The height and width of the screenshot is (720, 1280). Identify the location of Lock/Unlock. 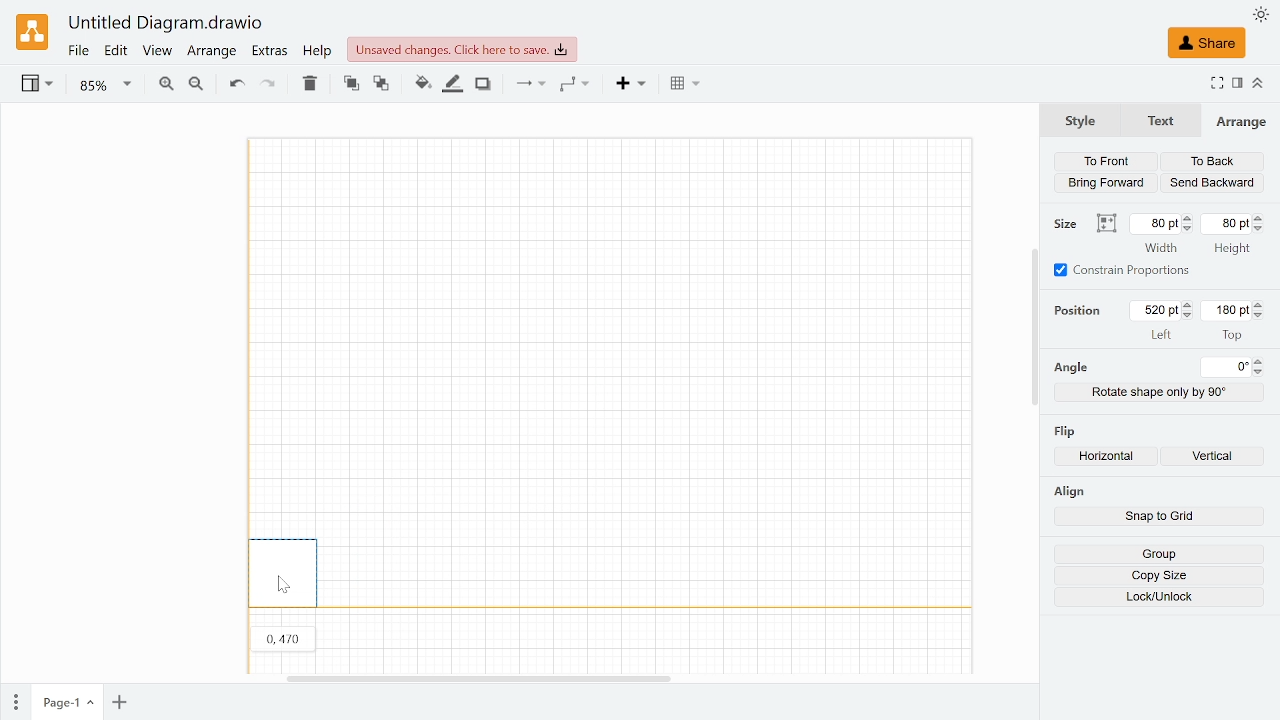
(1160, 597).